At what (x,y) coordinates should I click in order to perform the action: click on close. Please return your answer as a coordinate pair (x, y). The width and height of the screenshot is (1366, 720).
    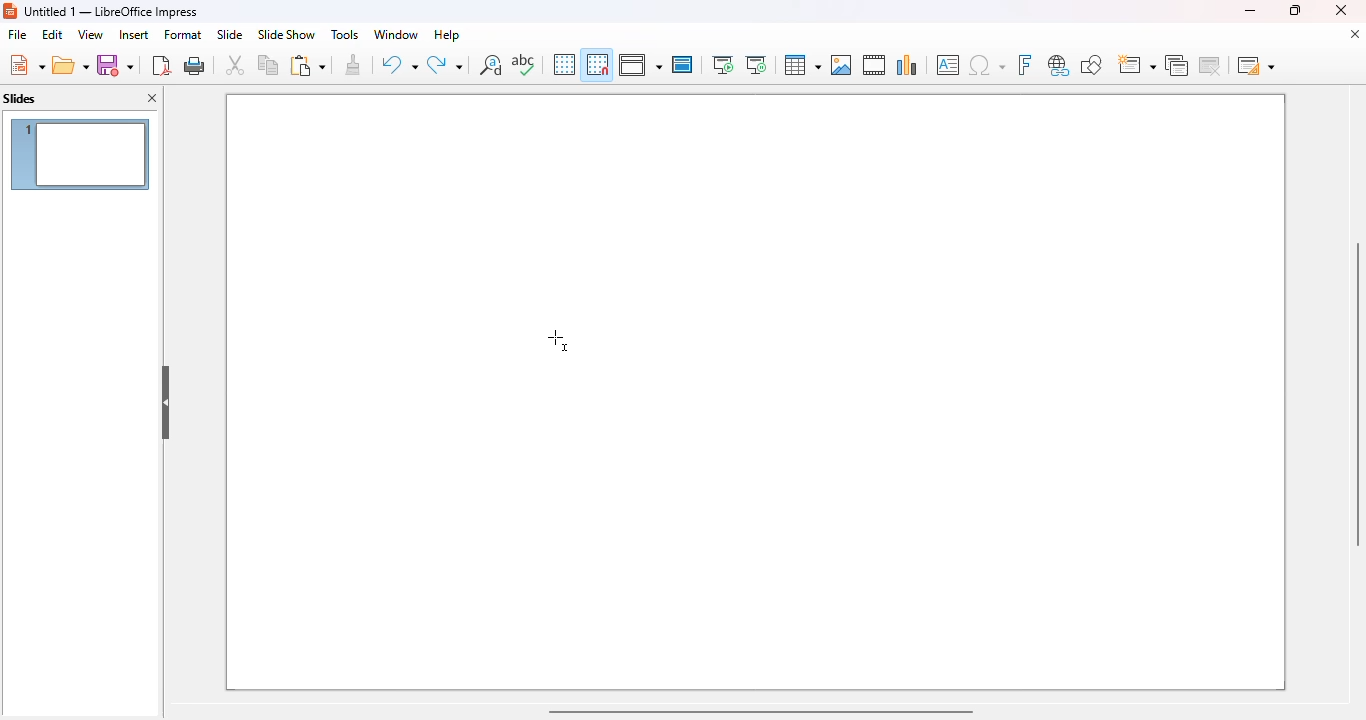
    Looking at the image, I should click on (1341, 10).